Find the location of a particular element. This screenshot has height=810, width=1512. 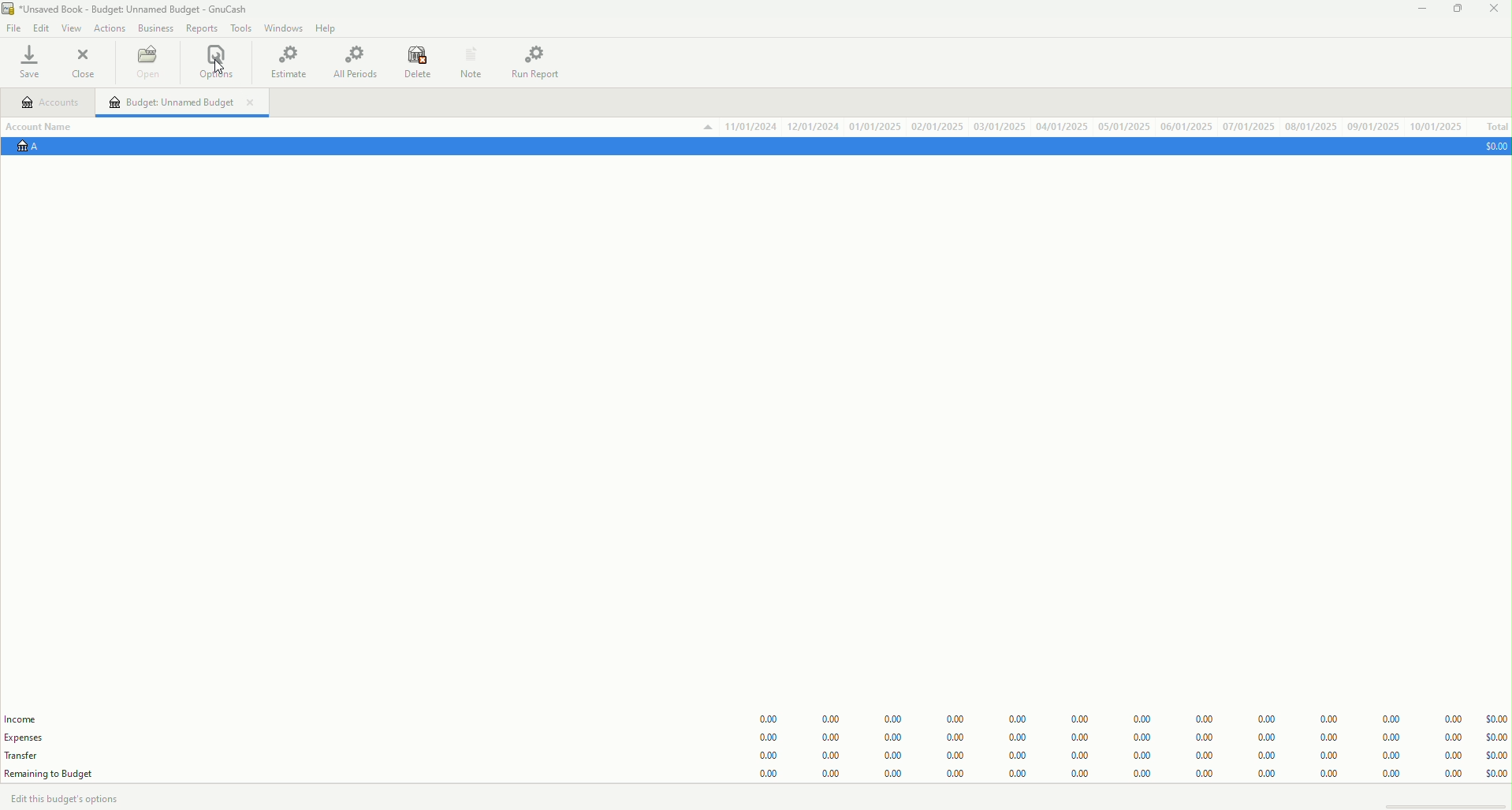

Close is located at coordinates (85, 63).